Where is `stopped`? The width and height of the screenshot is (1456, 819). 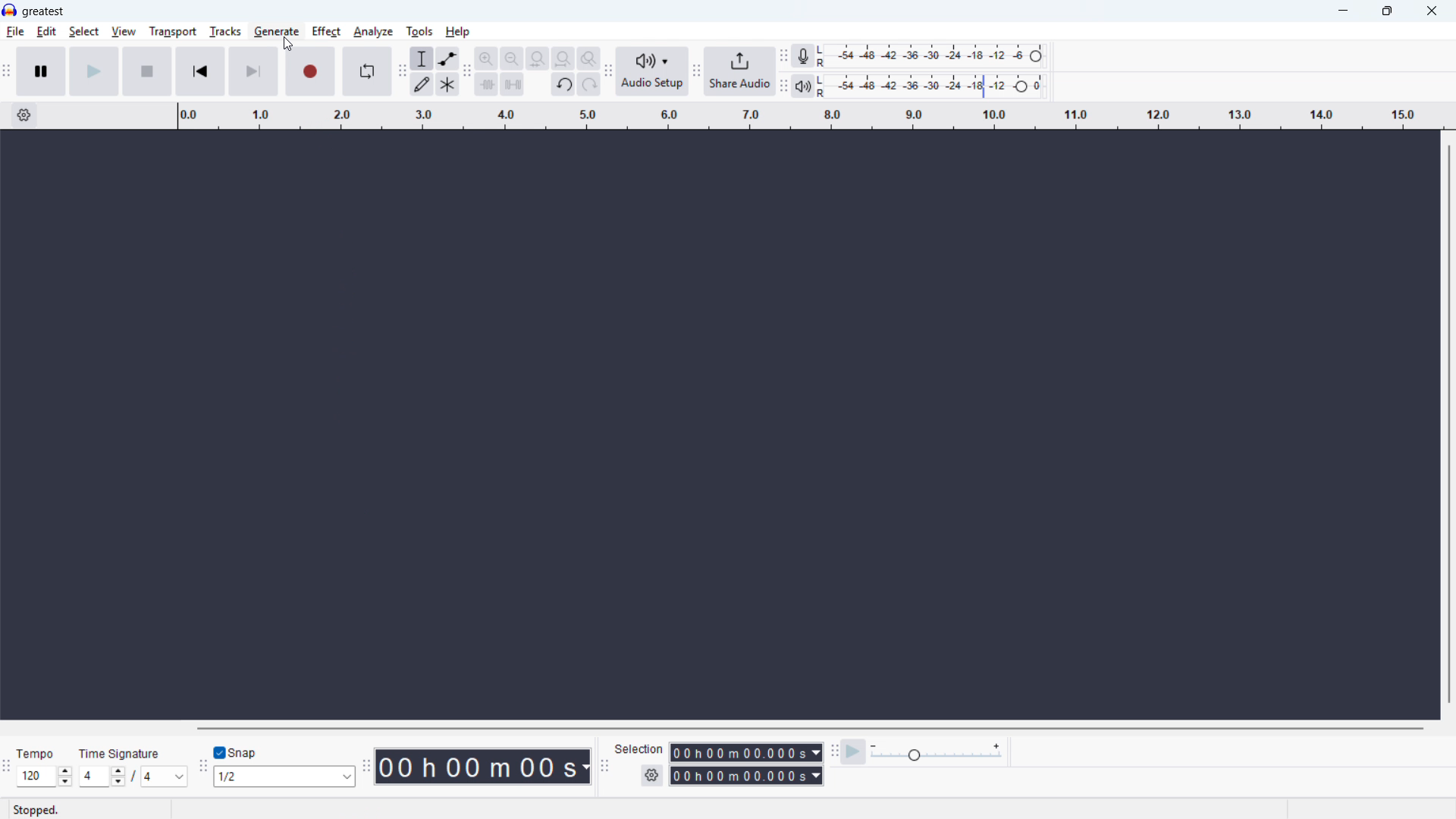
stopped is located at coordinates (36, 811).